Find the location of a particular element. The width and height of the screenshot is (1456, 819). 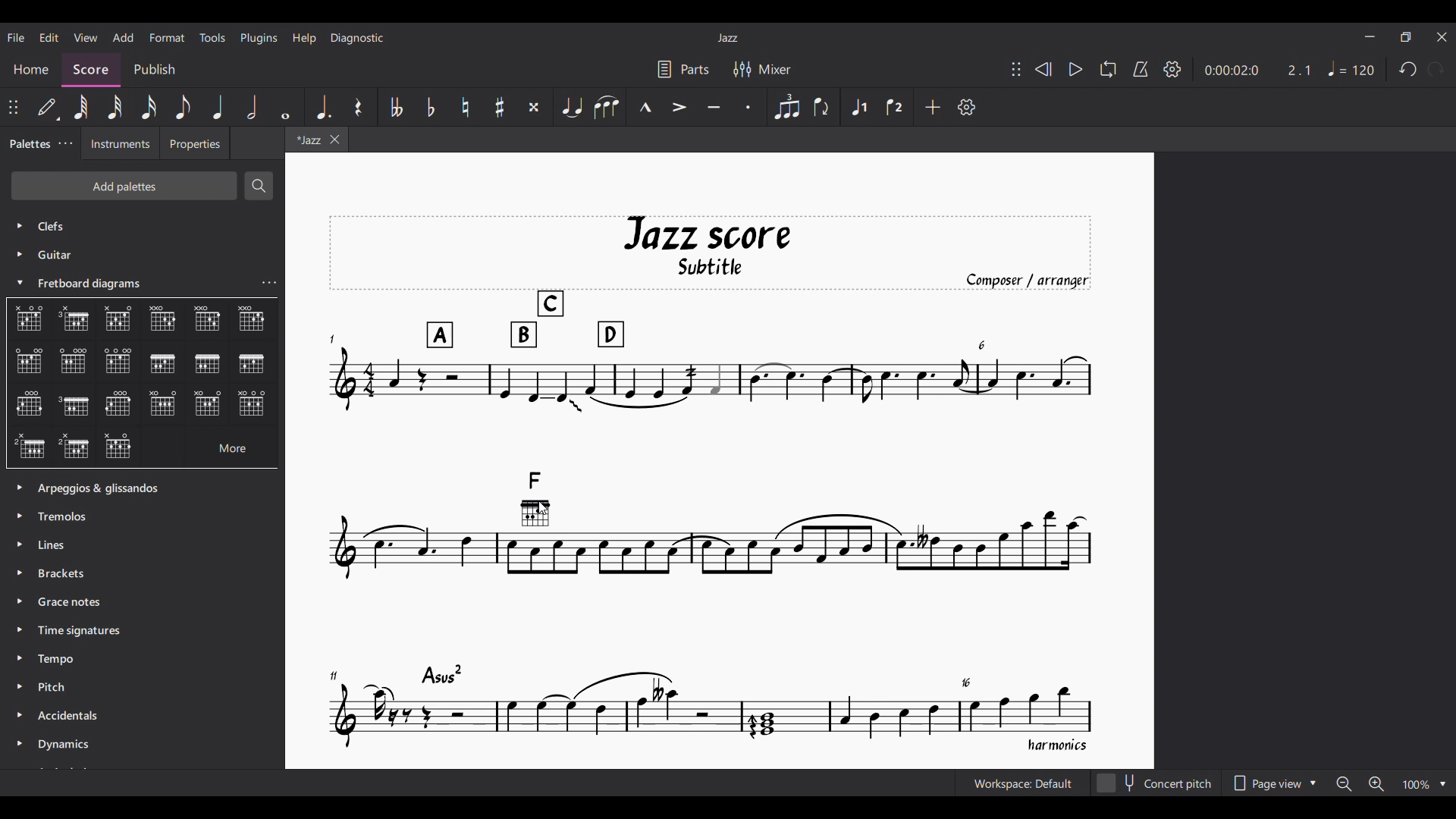

Toggle double sharp is located at coordinates (535, 107).